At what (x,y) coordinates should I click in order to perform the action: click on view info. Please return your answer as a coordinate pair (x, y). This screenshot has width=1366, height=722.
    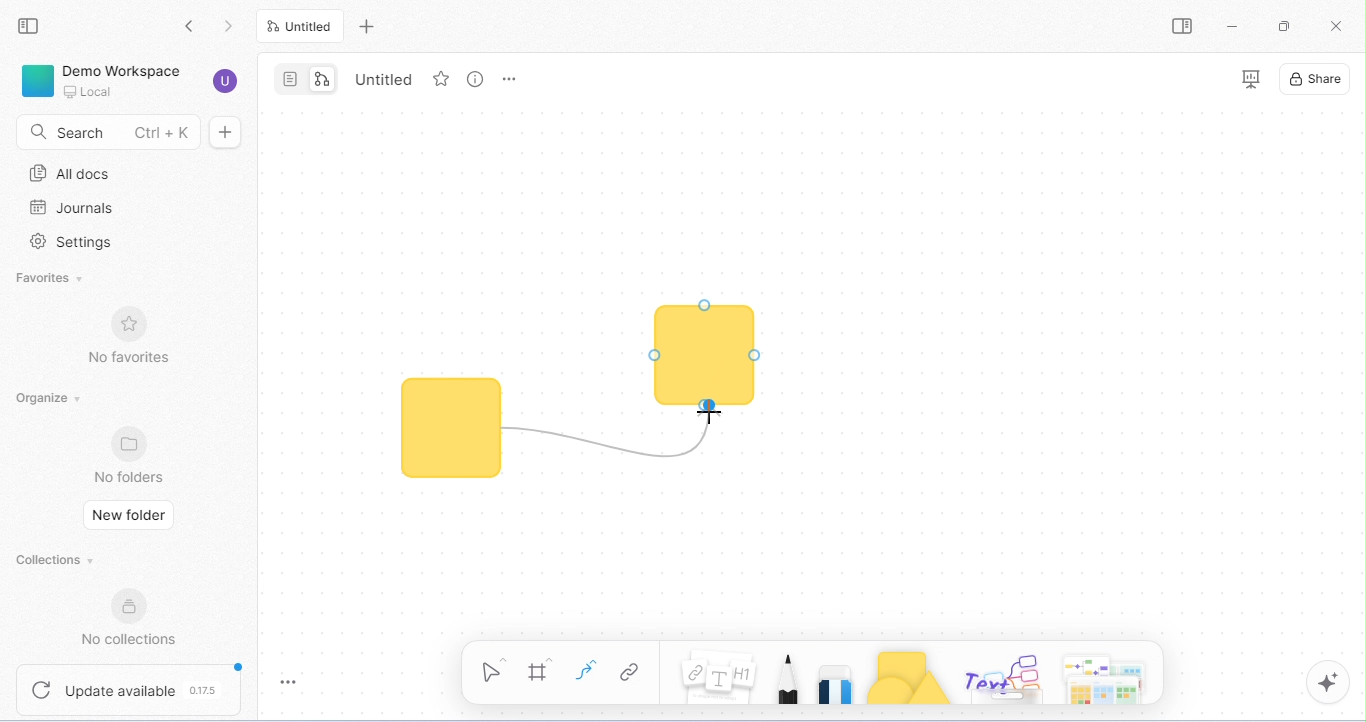
    Looking at the image, I should click on (476, 79).